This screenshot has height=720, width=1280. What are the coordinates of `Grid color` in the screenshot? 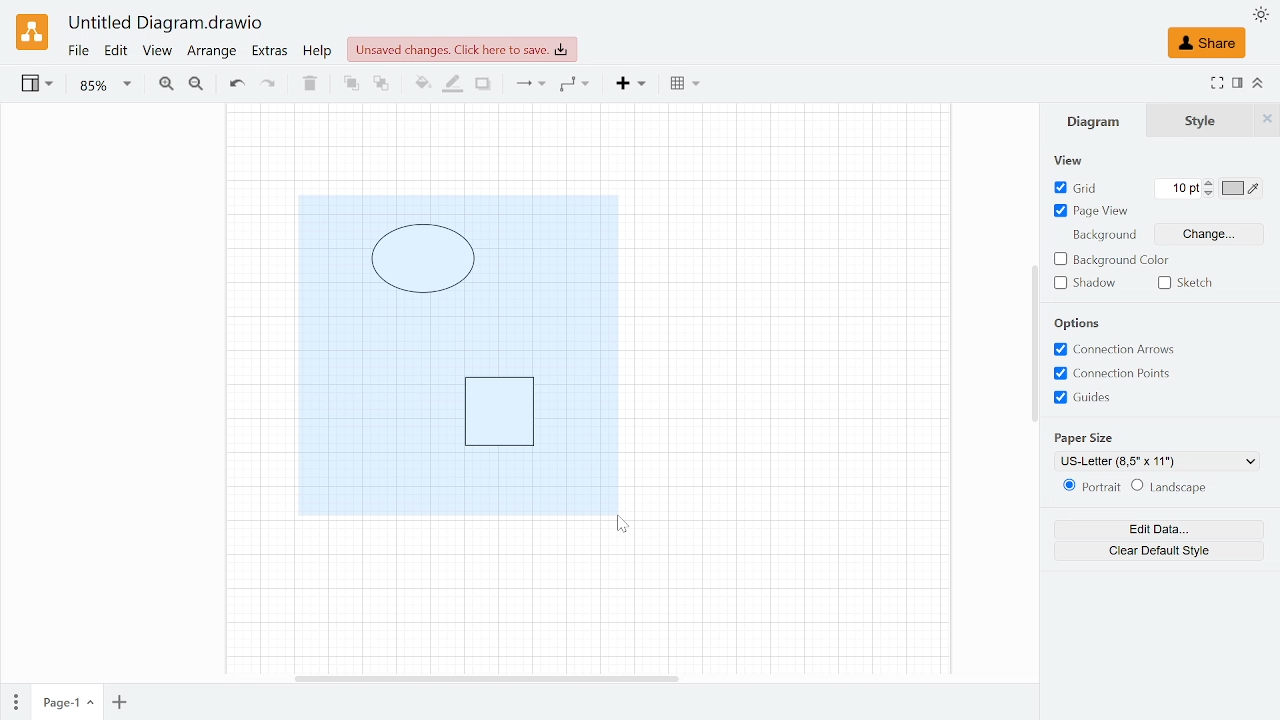 It's located at (1242, 188).